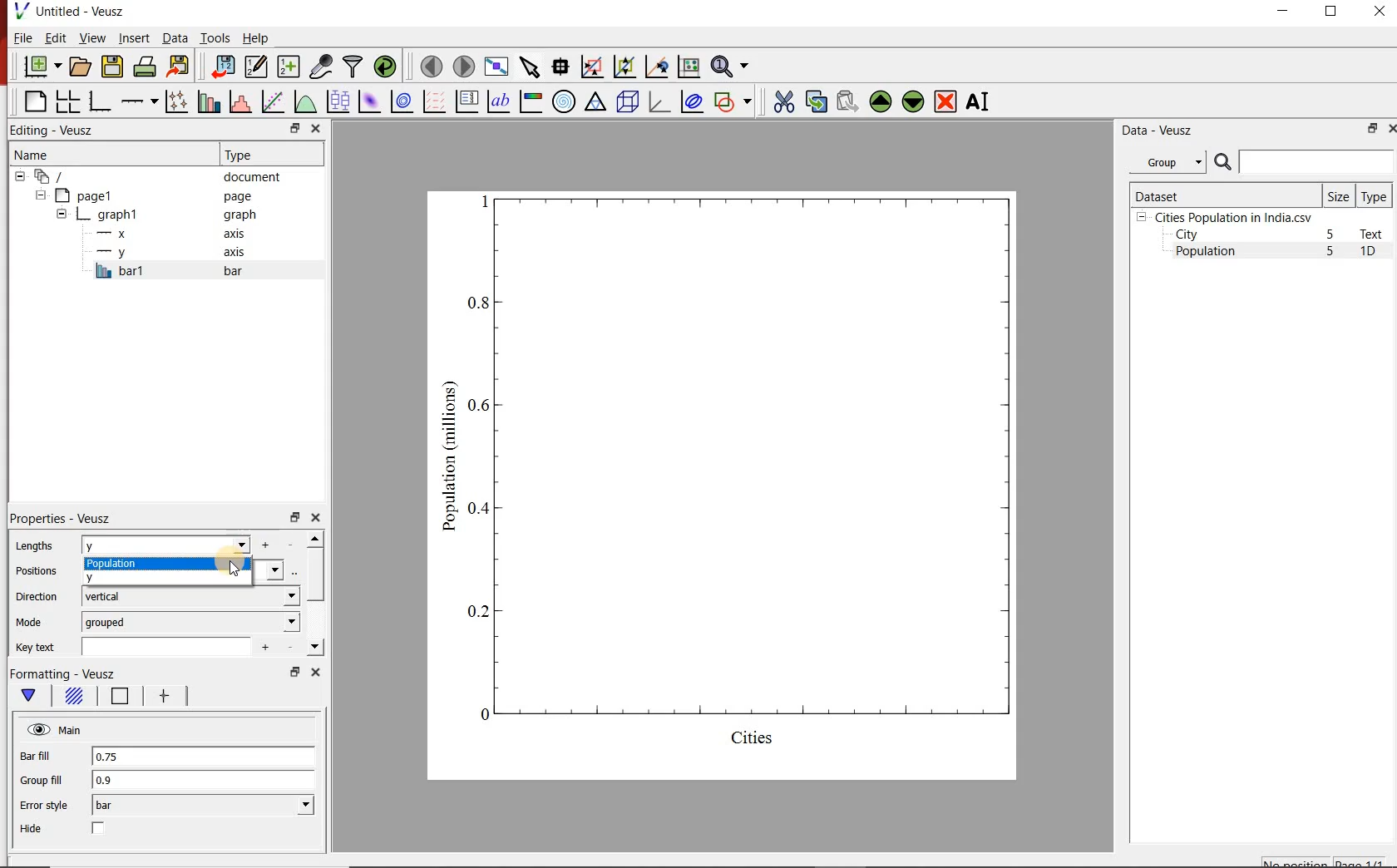 Image resolution: width=1397 pixels, height=868 pixels. What do you see at coordinates (48, 780) in the screenshot?
I see `Group fill` at bounding box center [48, 780].